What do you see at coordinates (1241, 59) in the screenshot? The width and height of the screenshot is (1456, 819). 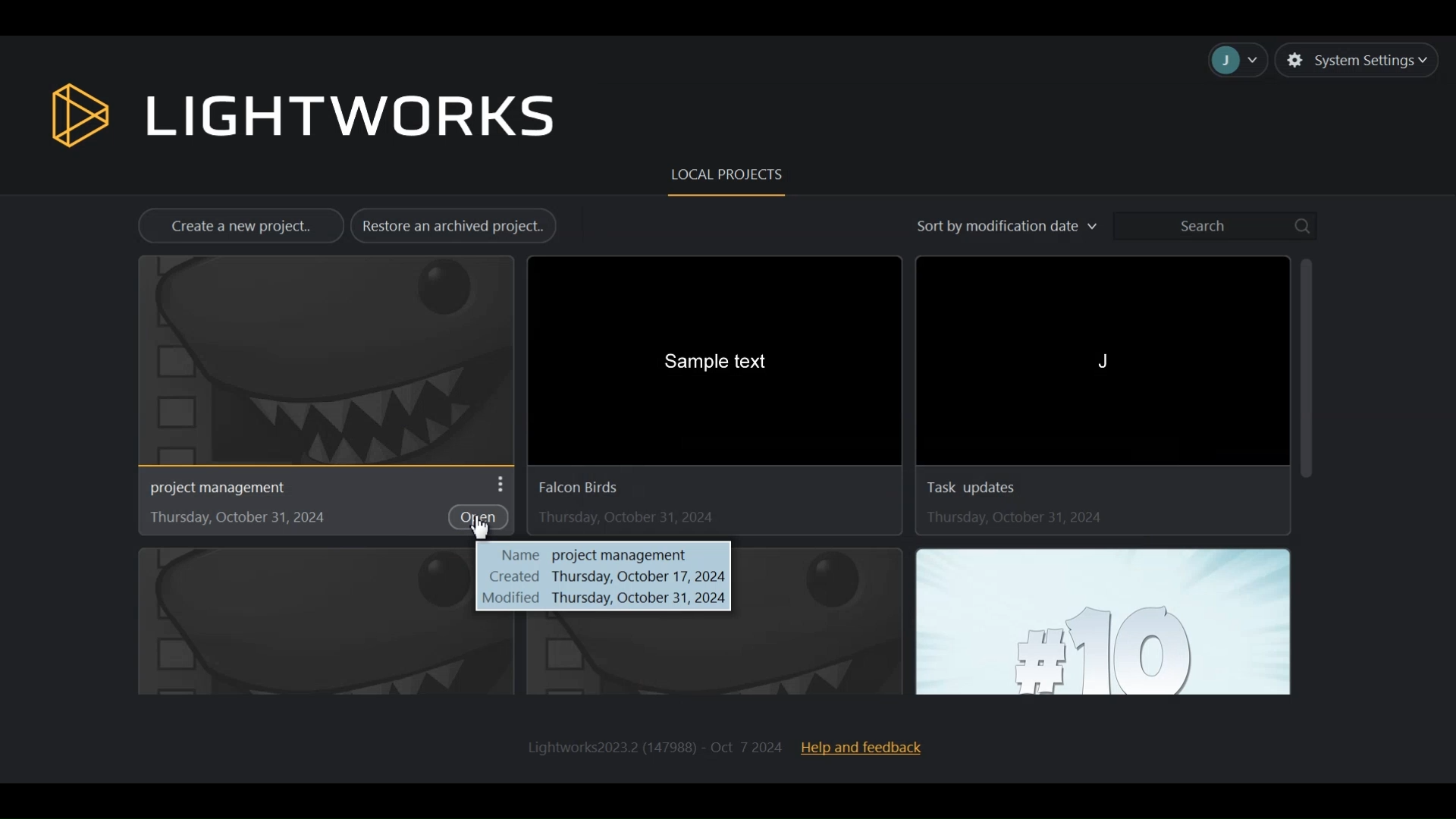 I see `Accounts` at bounding box center [1241, 59].